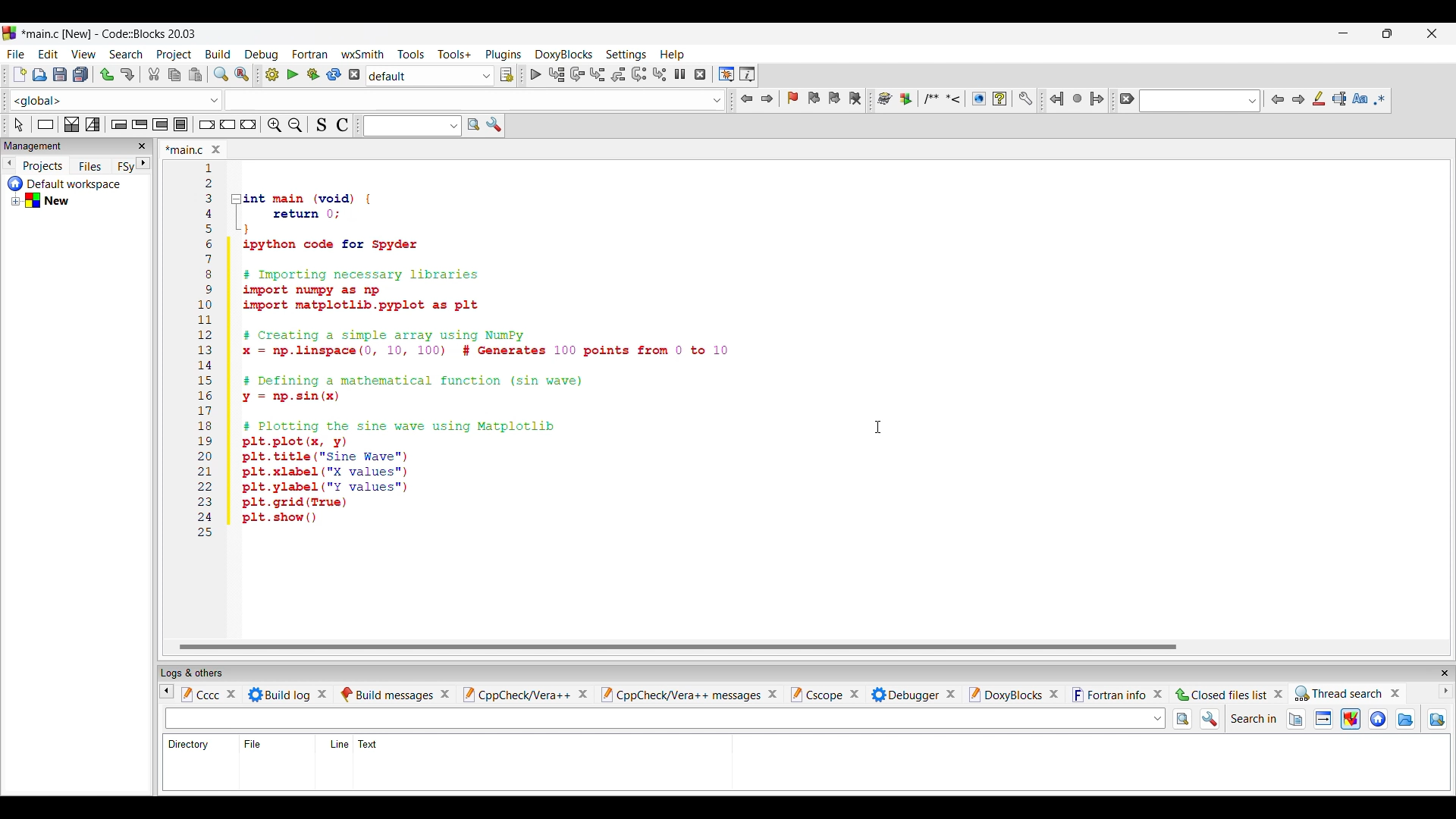 This screenshot has width=1456, height=819. What do you see at coordinates (1388, 33) in the screenshot?
I see `Show in a smaller tab` at bounding box center [1388, 33].